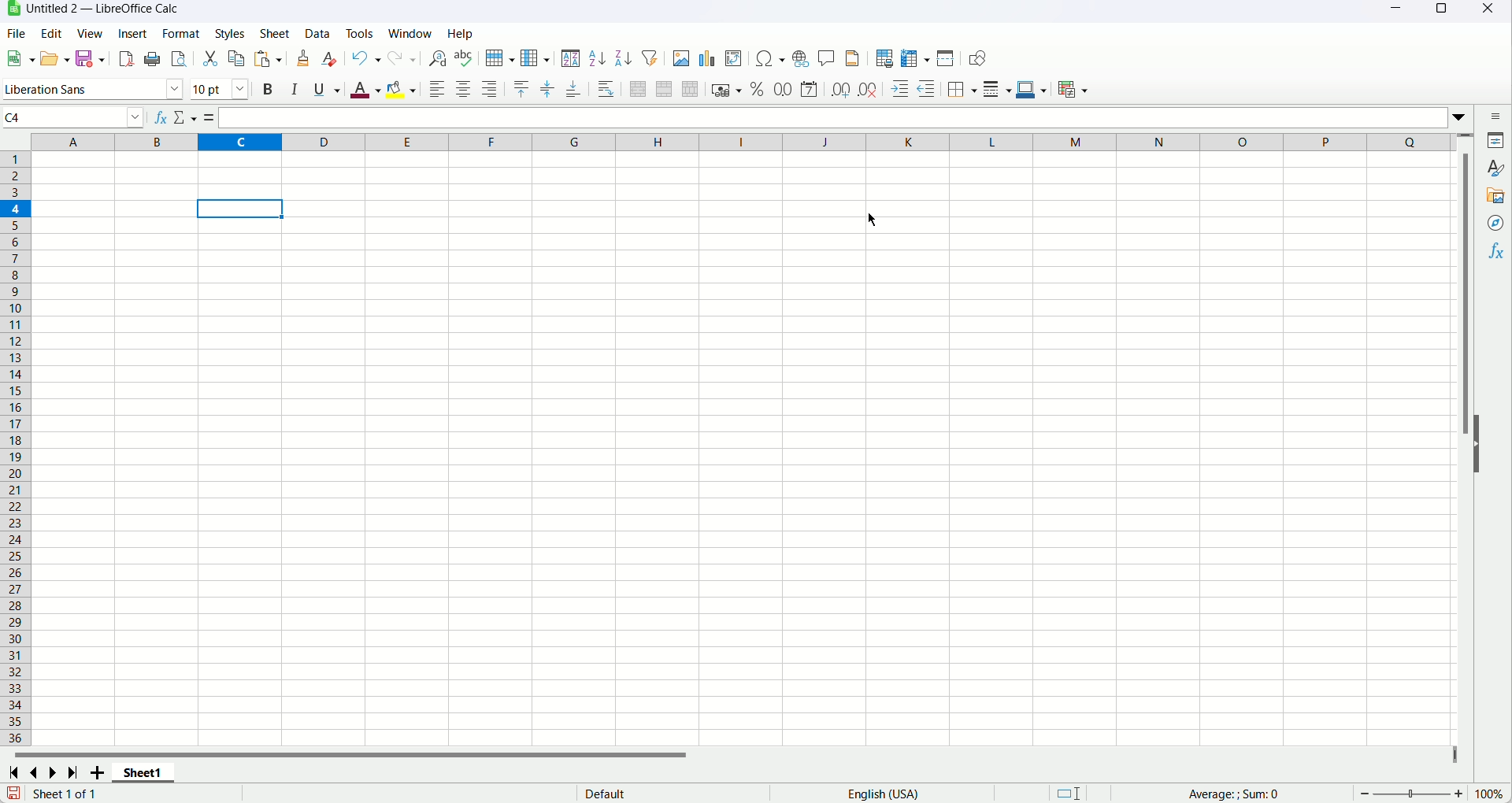  I want to click on Font size, so click(220, 89).